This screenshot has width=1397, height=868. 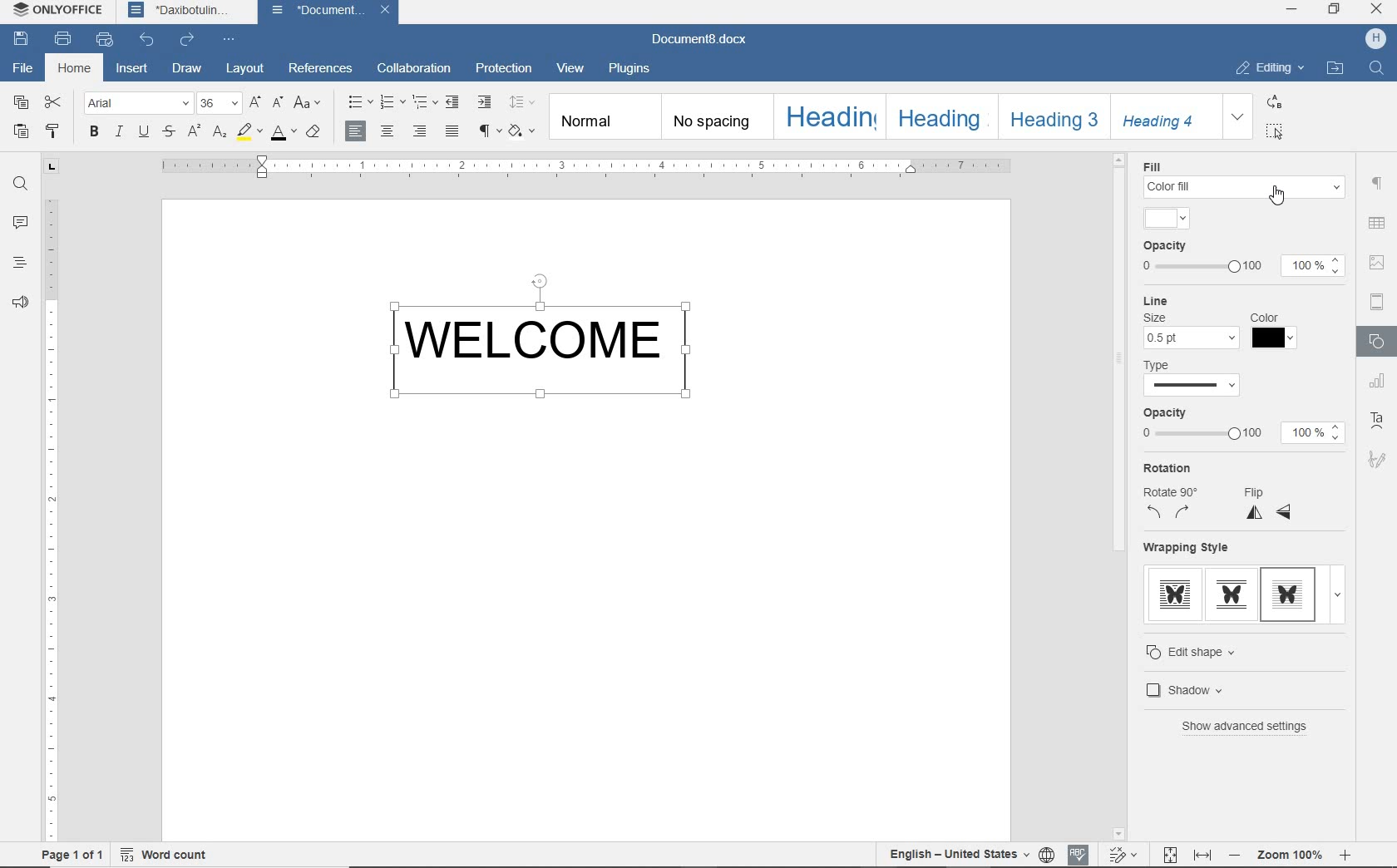 I want to click on shadow, so click(x=1213, y=689).